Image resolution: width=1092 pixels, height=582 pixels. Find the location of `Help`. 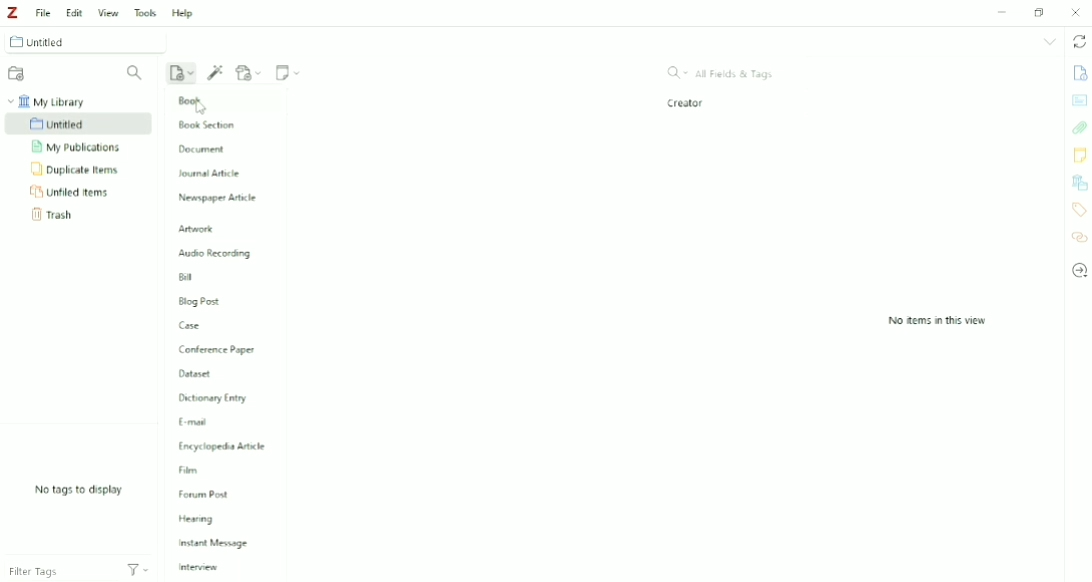

Help is located at coordinates (183, 13).